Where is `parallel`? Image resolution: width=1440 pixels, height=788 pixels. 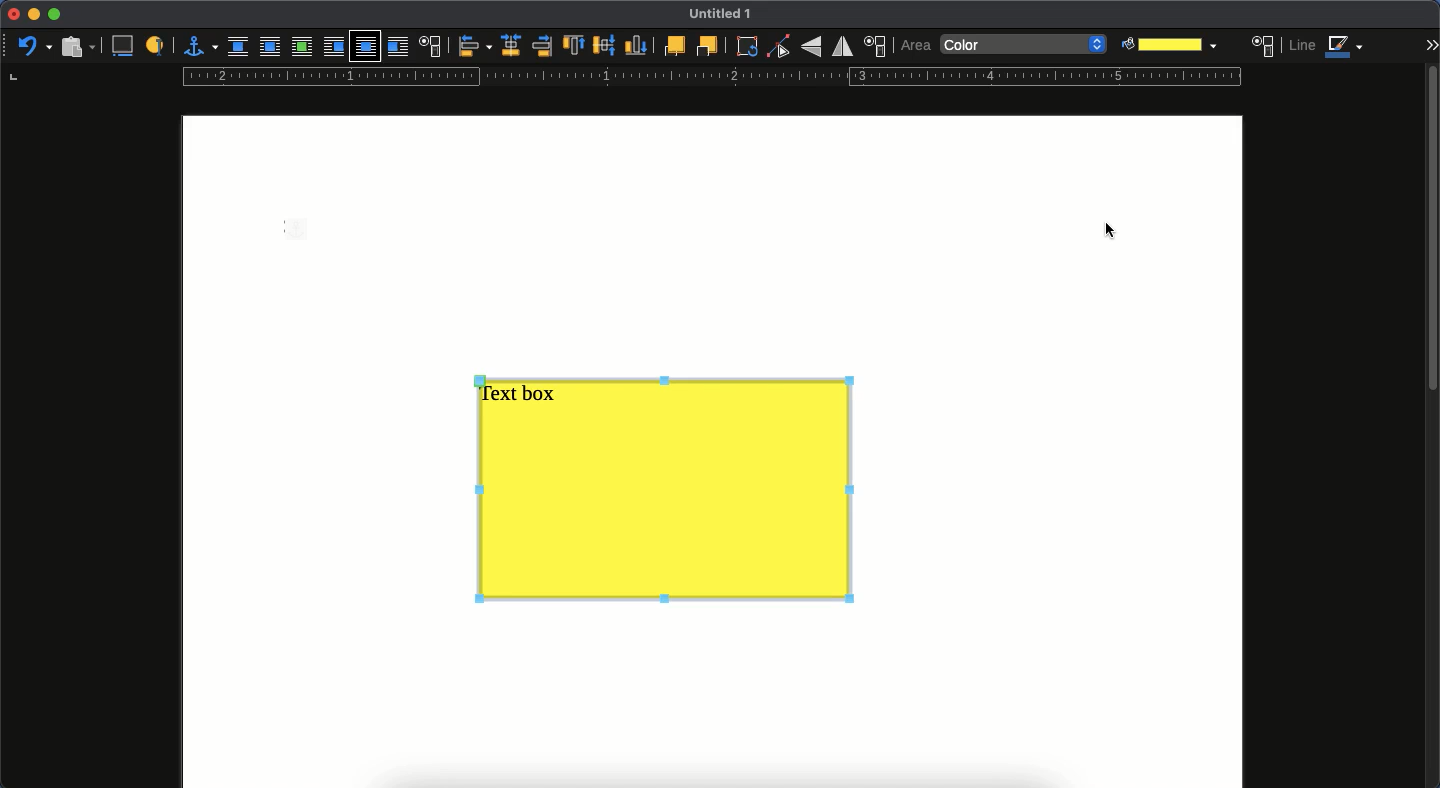 parallel is located at coordinates (269, 49).